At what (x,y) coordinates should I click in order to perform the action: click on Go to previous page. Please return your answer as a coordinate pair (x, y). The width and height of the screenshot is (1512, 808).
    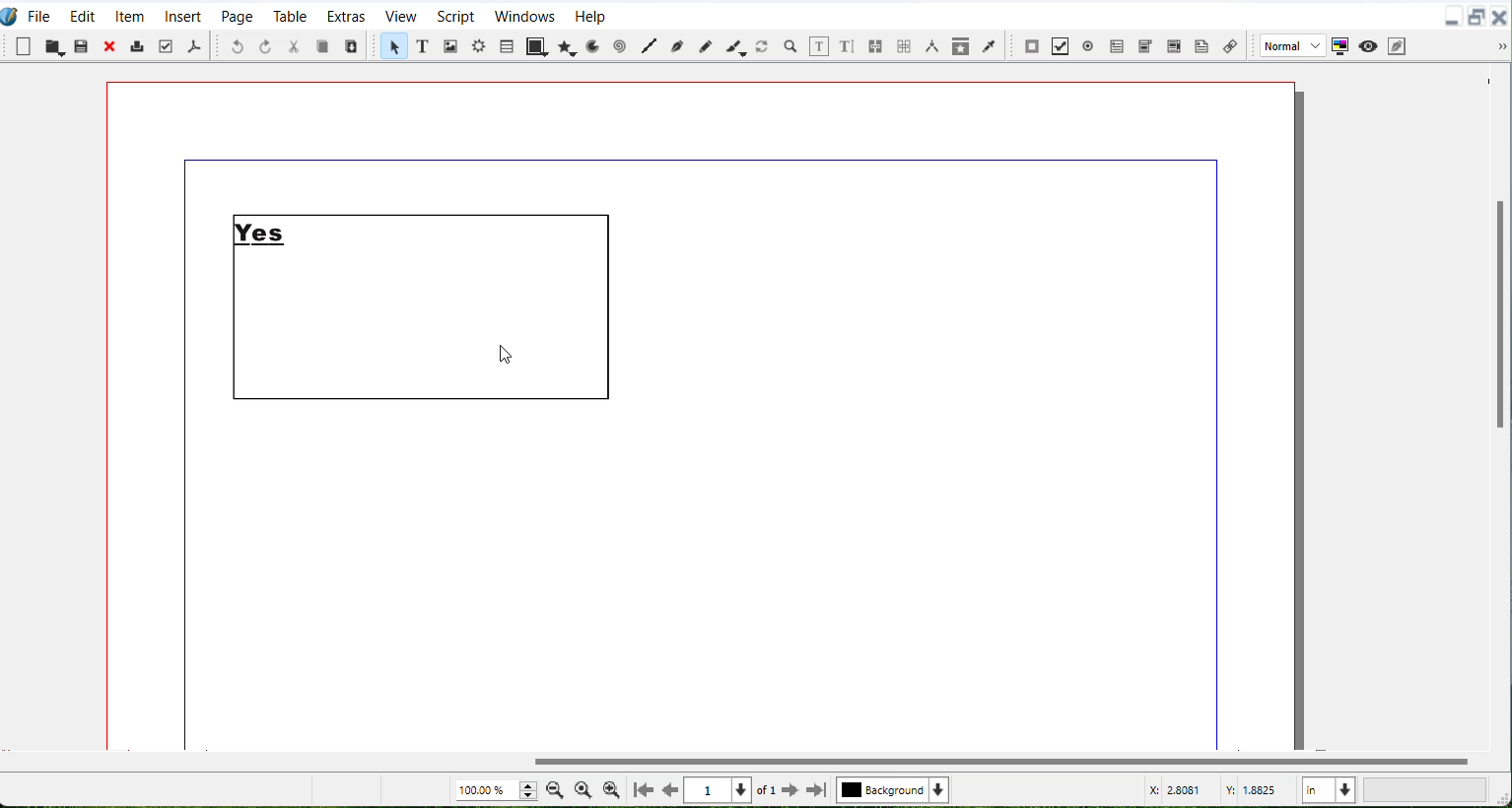
    Looking at the image, I should click on (673, 790).